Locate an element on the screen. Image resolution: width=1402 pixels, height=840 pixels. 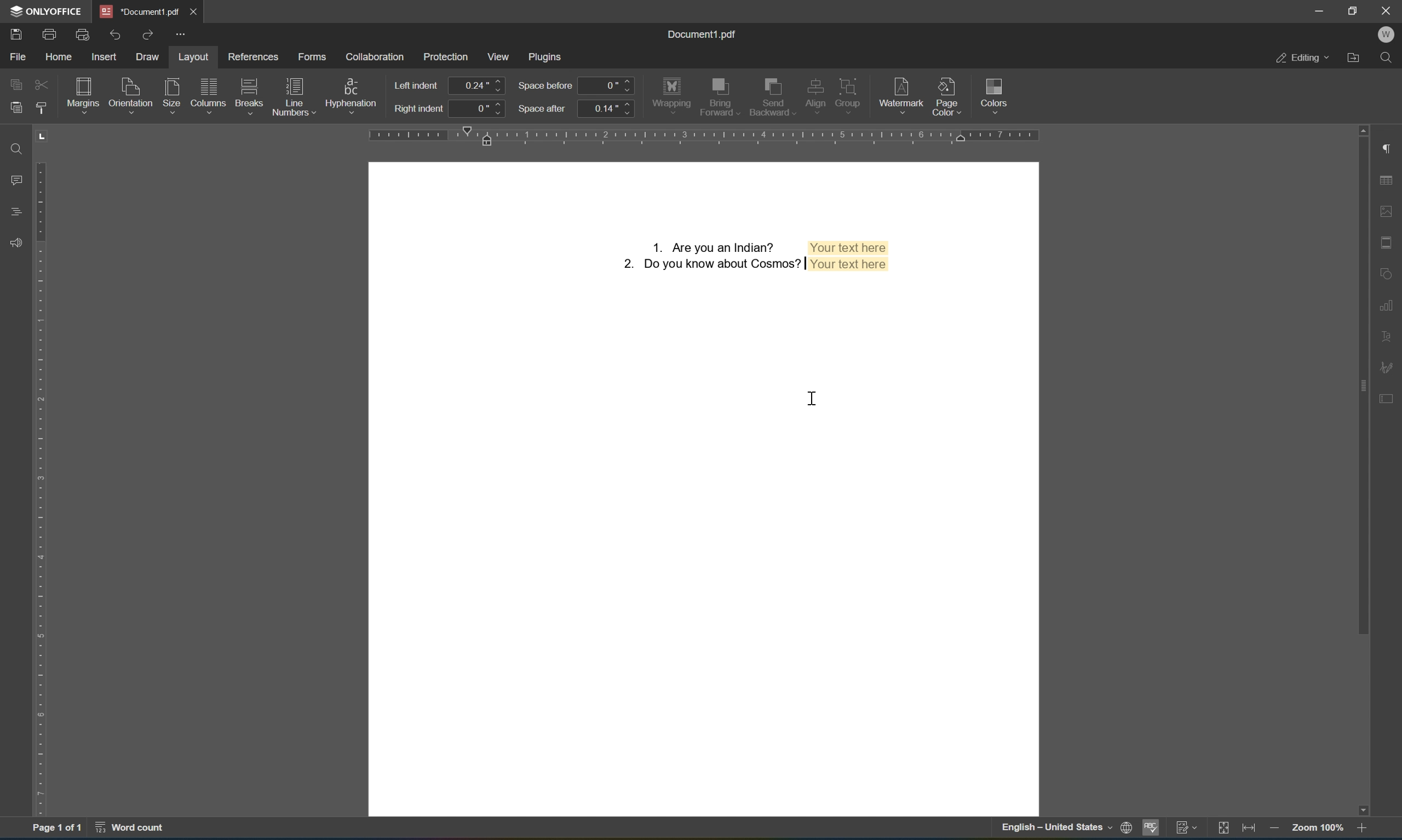
file is located at coordinates (18, 57).